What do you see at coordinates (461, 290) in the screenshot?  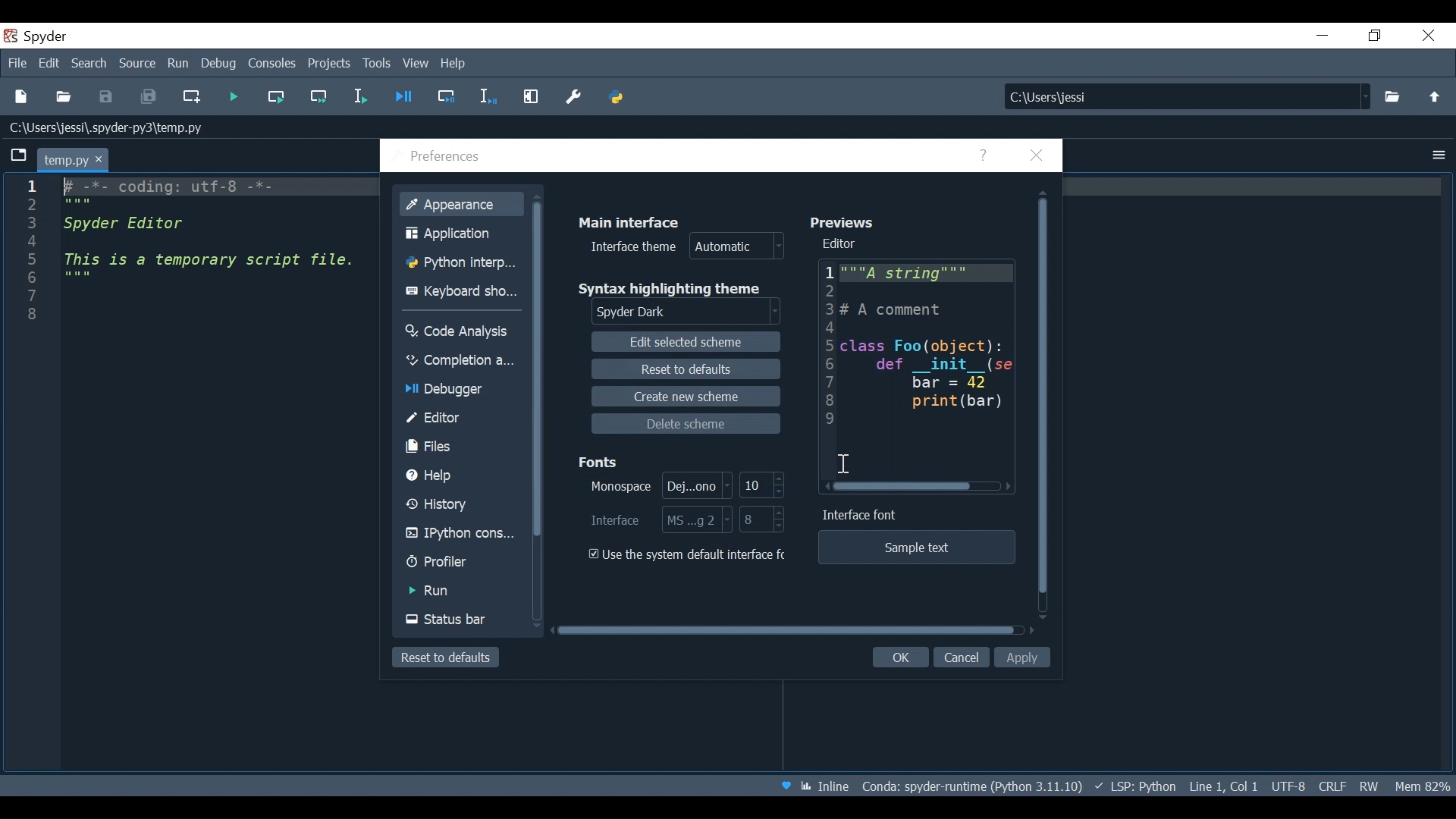 I see `Keyboard shortcut` at bounding box center [461, 290].